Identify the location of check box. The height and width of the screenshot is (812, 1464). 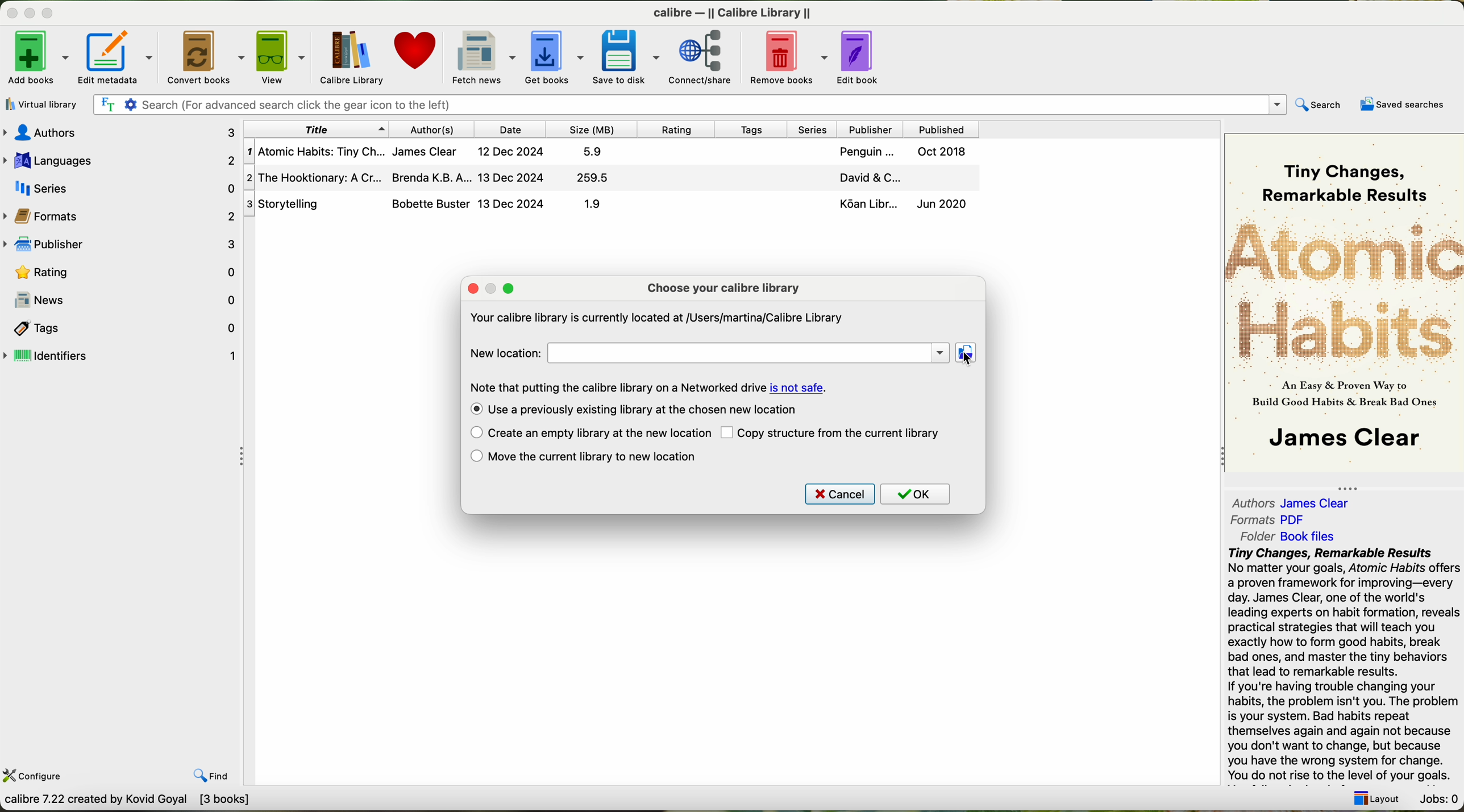
(476, 457).